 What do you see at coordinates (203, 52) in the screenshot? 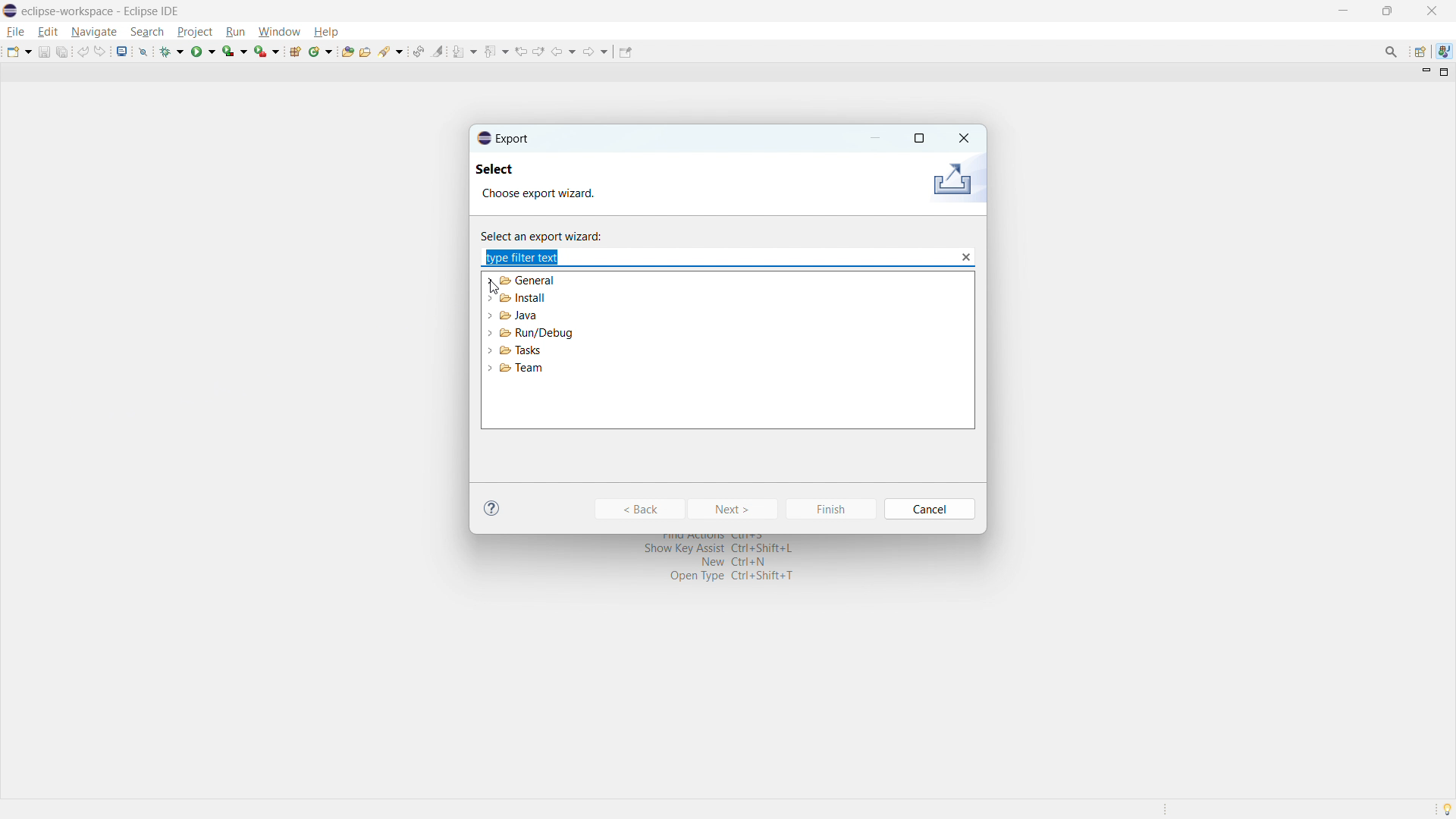
I see `run` at bounding box center [203, 52].